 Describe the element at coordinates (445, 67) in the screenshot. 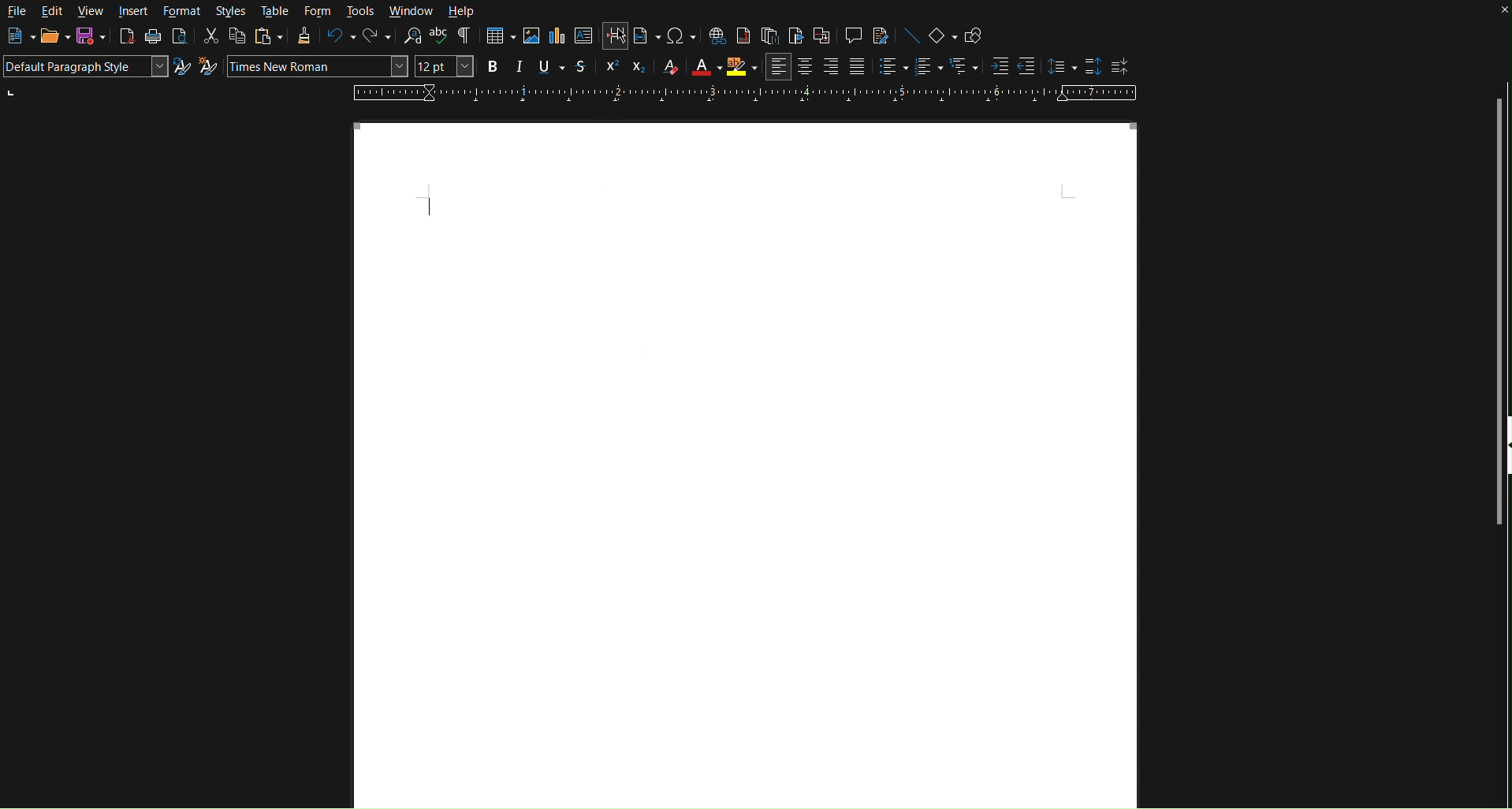

I see `Font Size - 12pt` at that location.